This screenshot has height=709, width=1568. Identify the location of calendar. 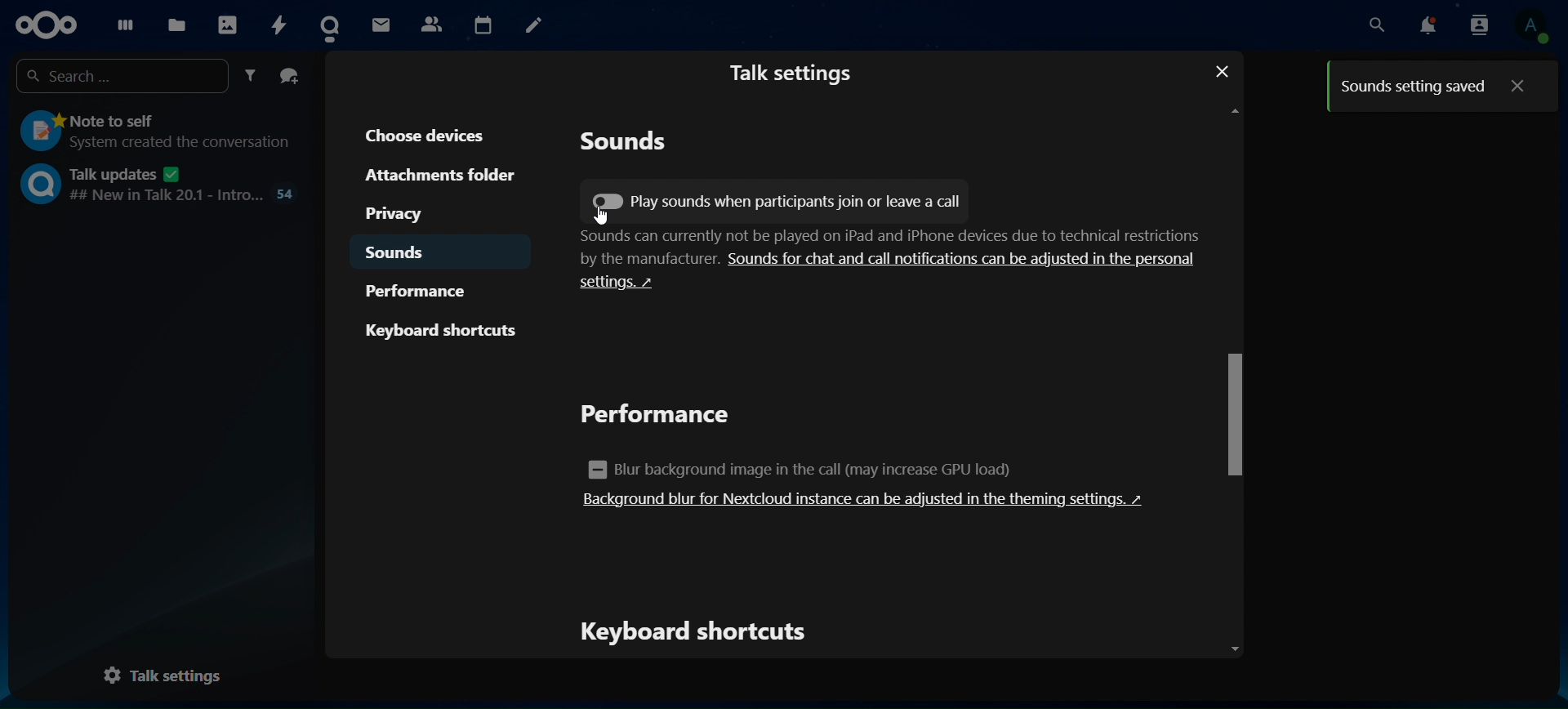
(482, 23).